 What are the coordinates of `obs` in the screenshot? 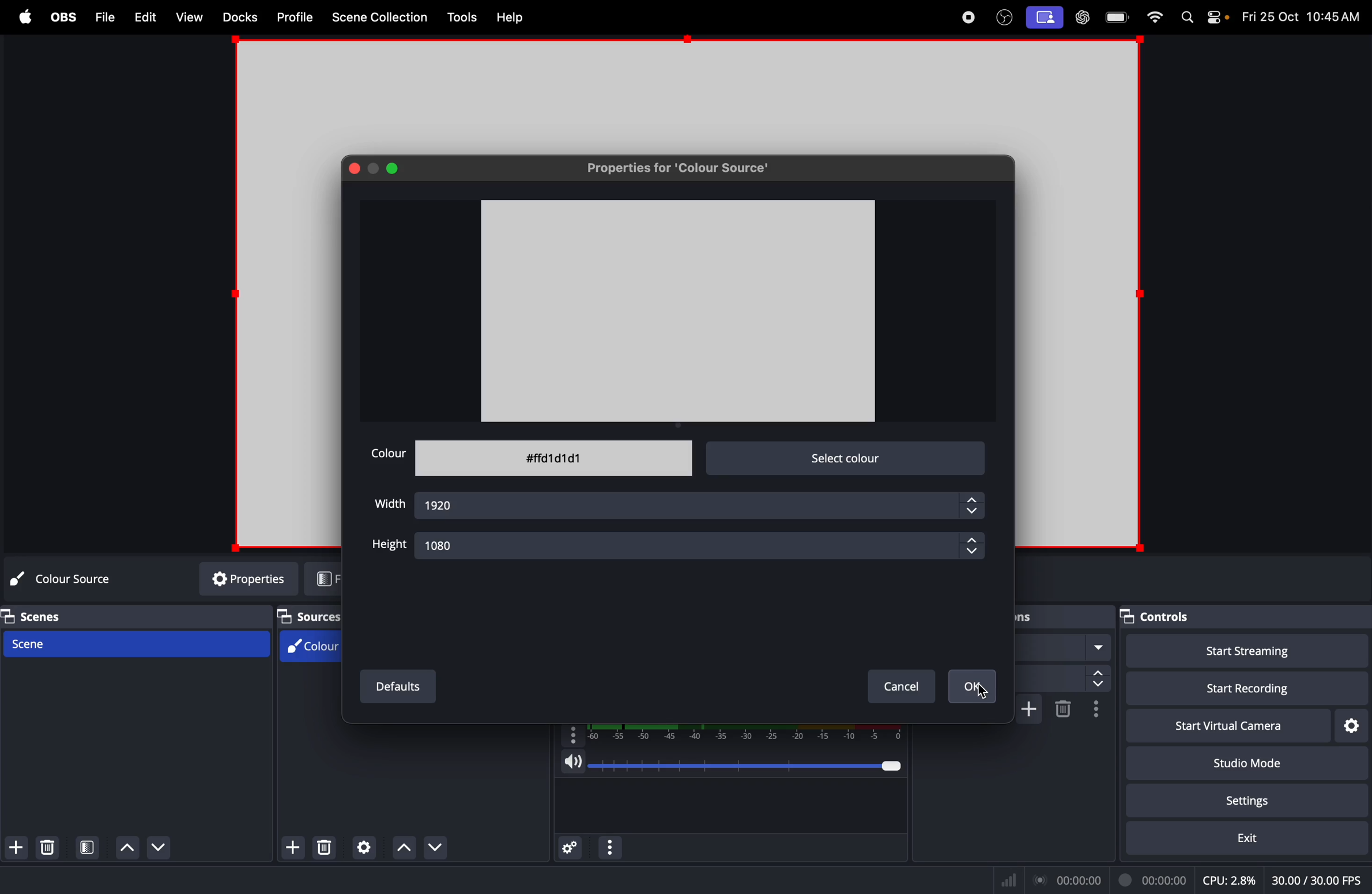 It's located at (1004, 16).